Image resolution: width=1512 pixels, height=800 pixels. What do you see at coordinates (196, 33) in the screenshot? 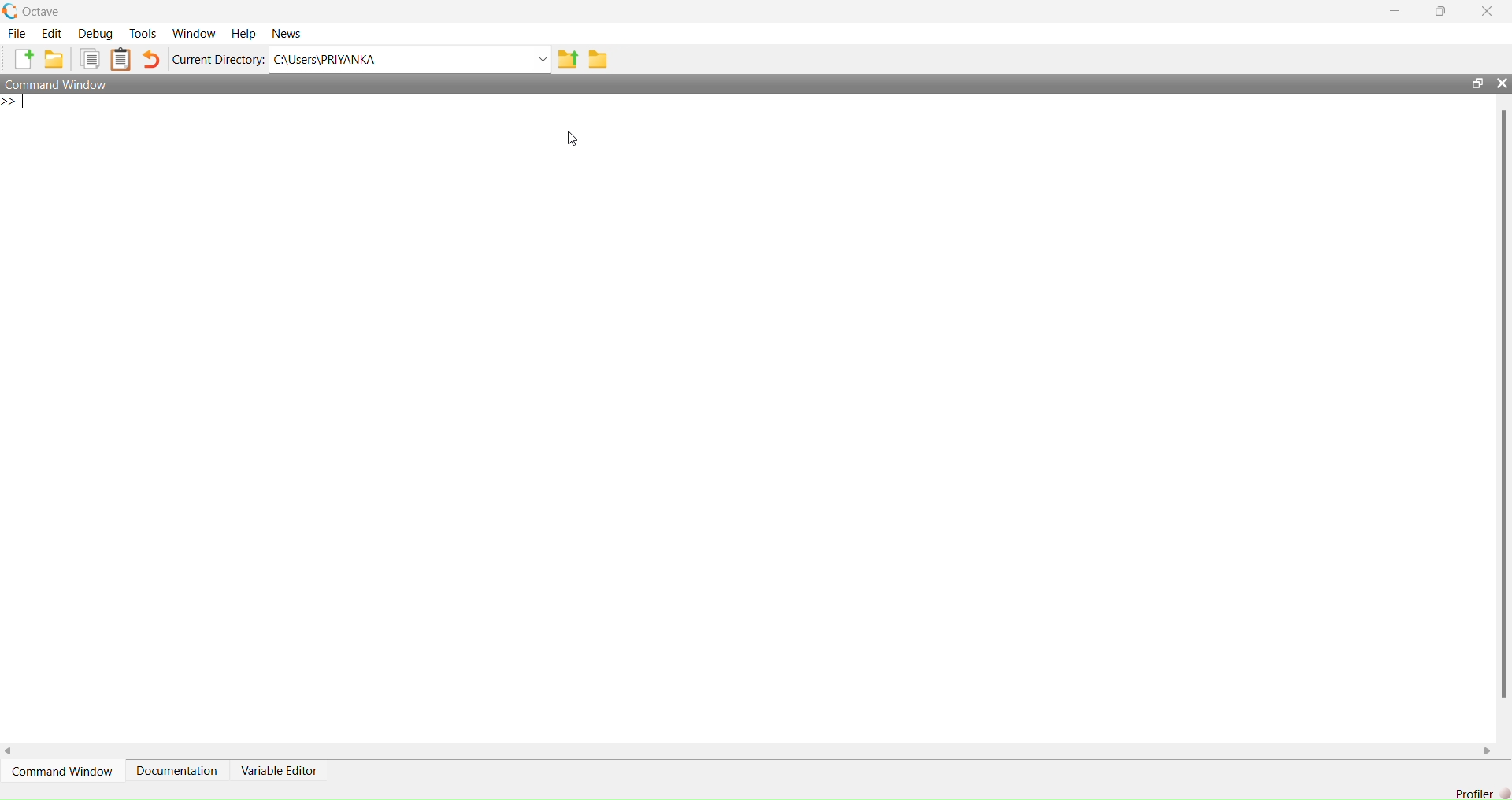
I see `Window` at bounding box center [196, 33].